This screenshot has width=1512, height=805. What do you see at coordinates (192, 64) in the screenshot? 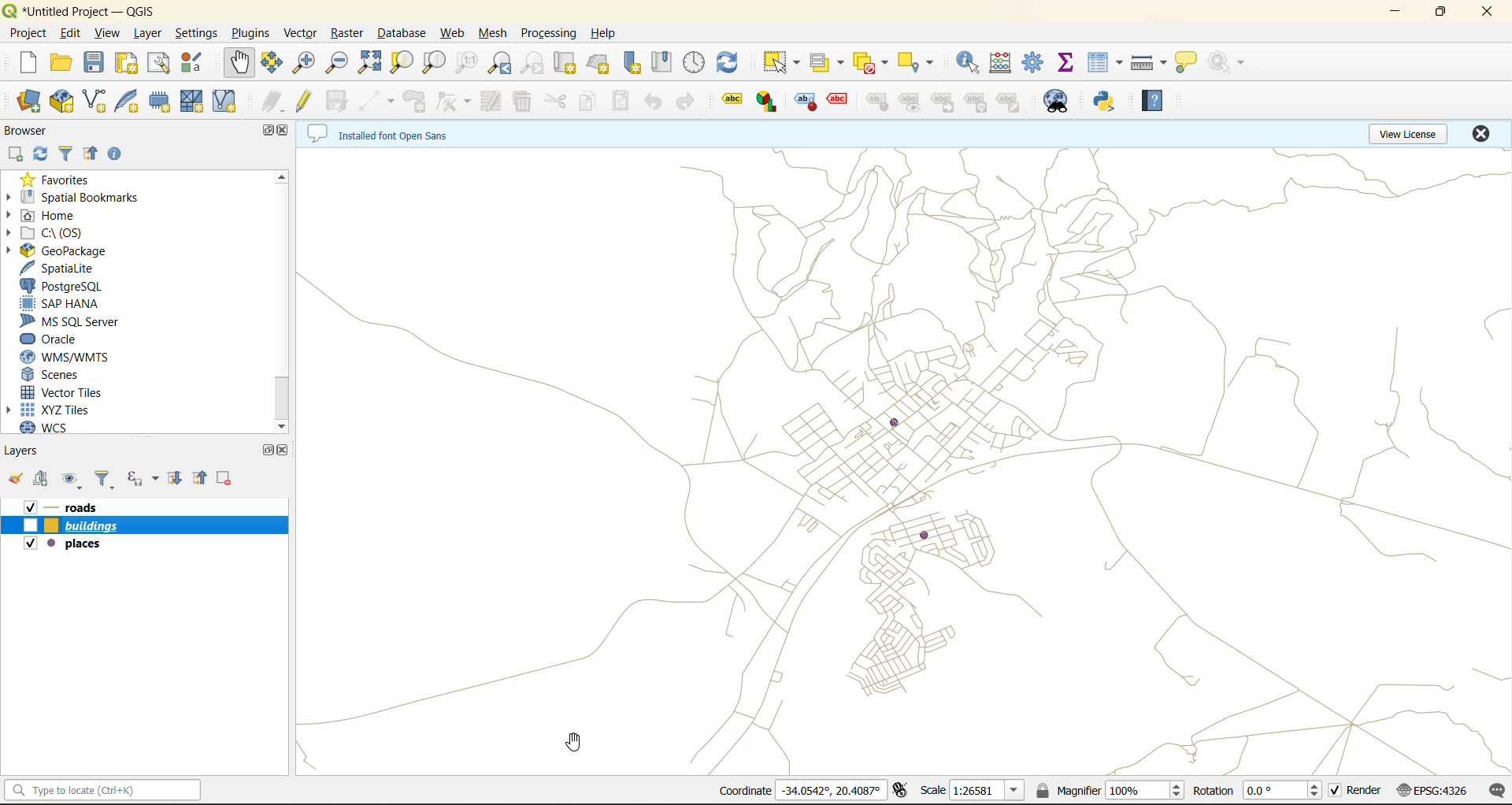
I see `style manager` at bounding box center [192, 64].